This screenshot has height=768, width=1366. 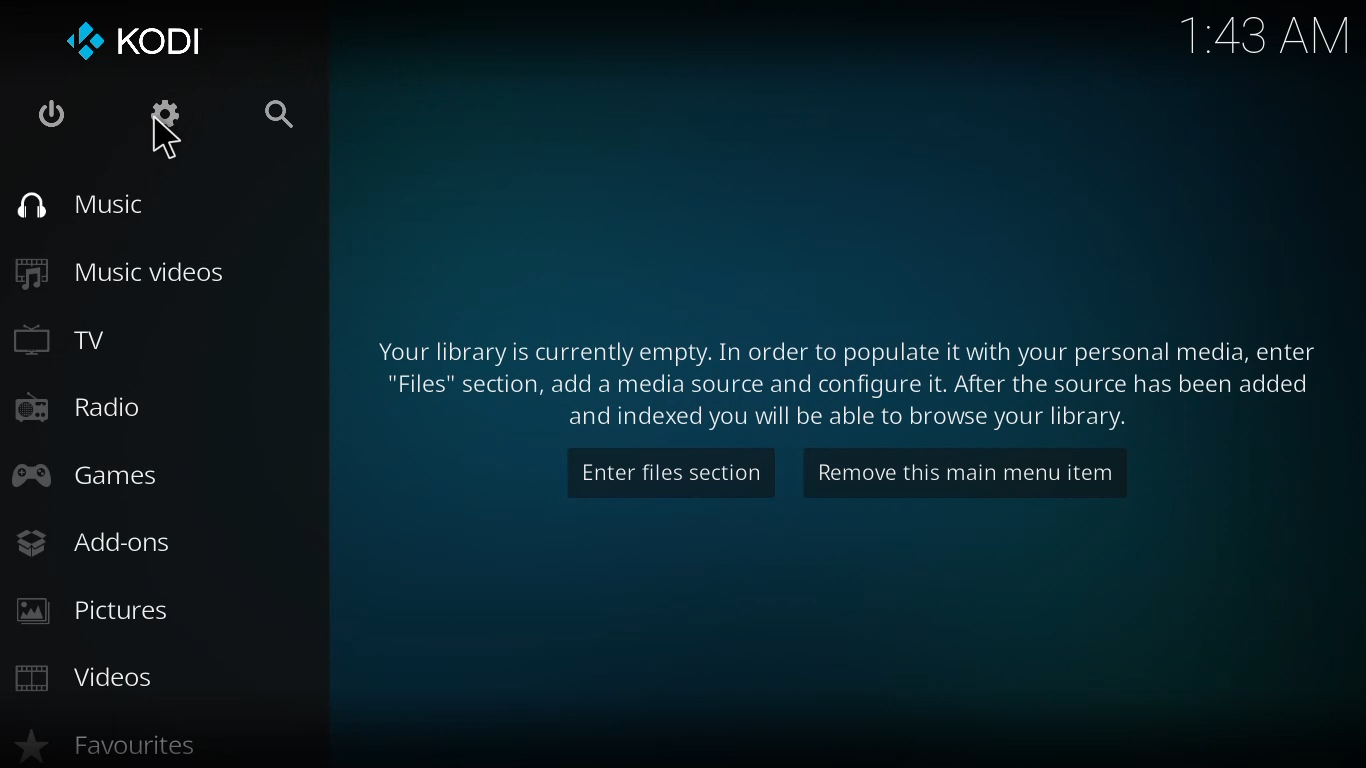 I want to click on cursor, so click(x=166, y=144).